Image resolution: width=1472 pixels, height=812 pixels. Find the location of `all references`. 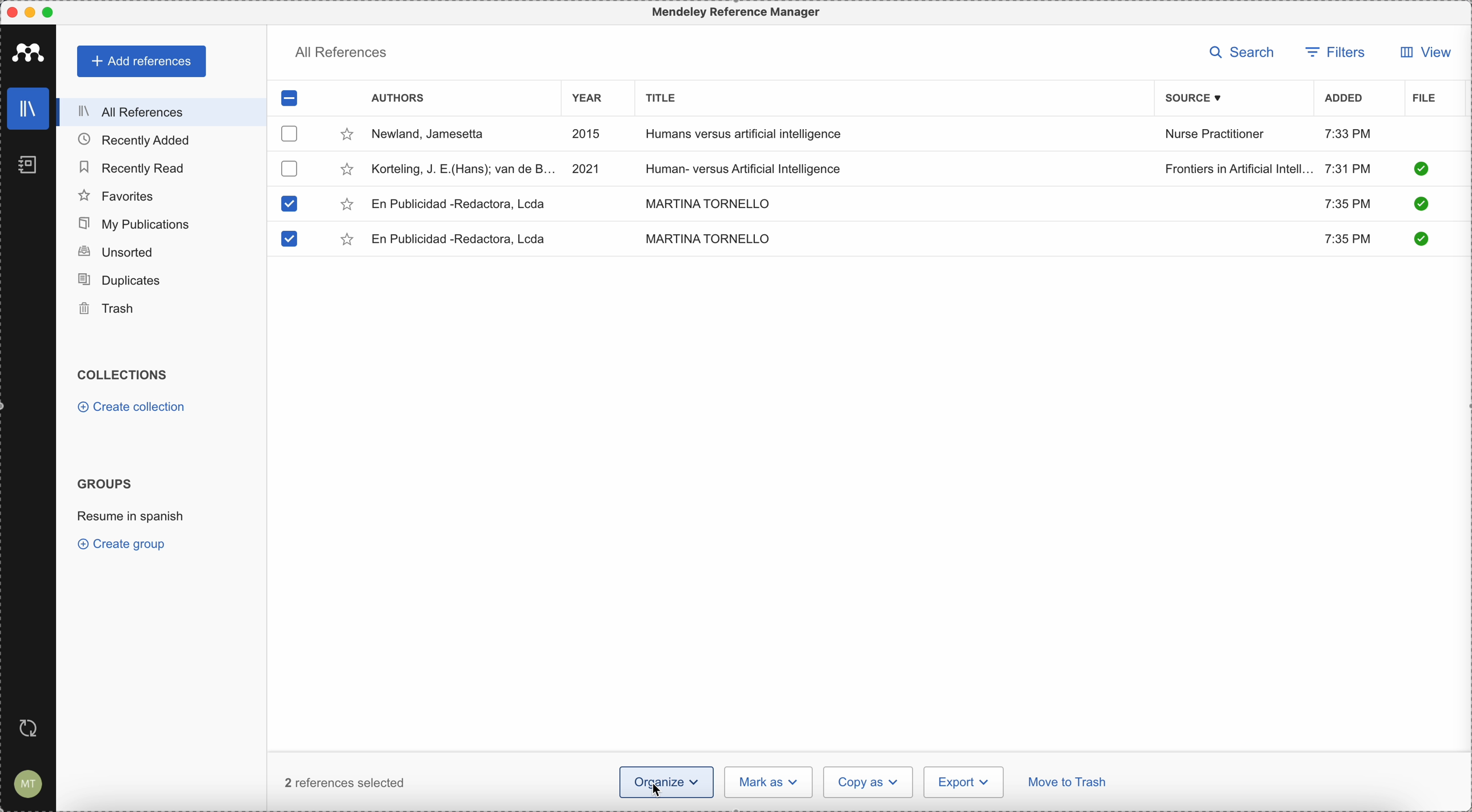

all references is located at coordinates (158, 112).